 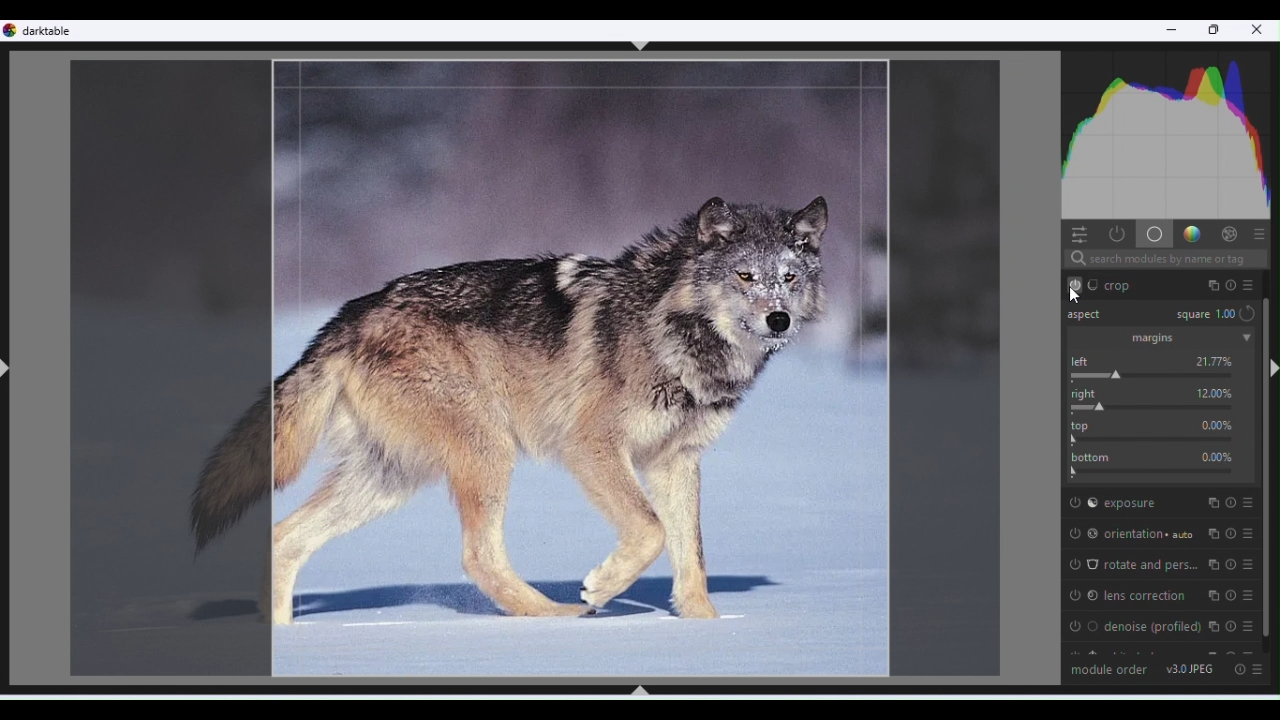 I want to click on ctrl+shift+t, so click(x=641, y=46).